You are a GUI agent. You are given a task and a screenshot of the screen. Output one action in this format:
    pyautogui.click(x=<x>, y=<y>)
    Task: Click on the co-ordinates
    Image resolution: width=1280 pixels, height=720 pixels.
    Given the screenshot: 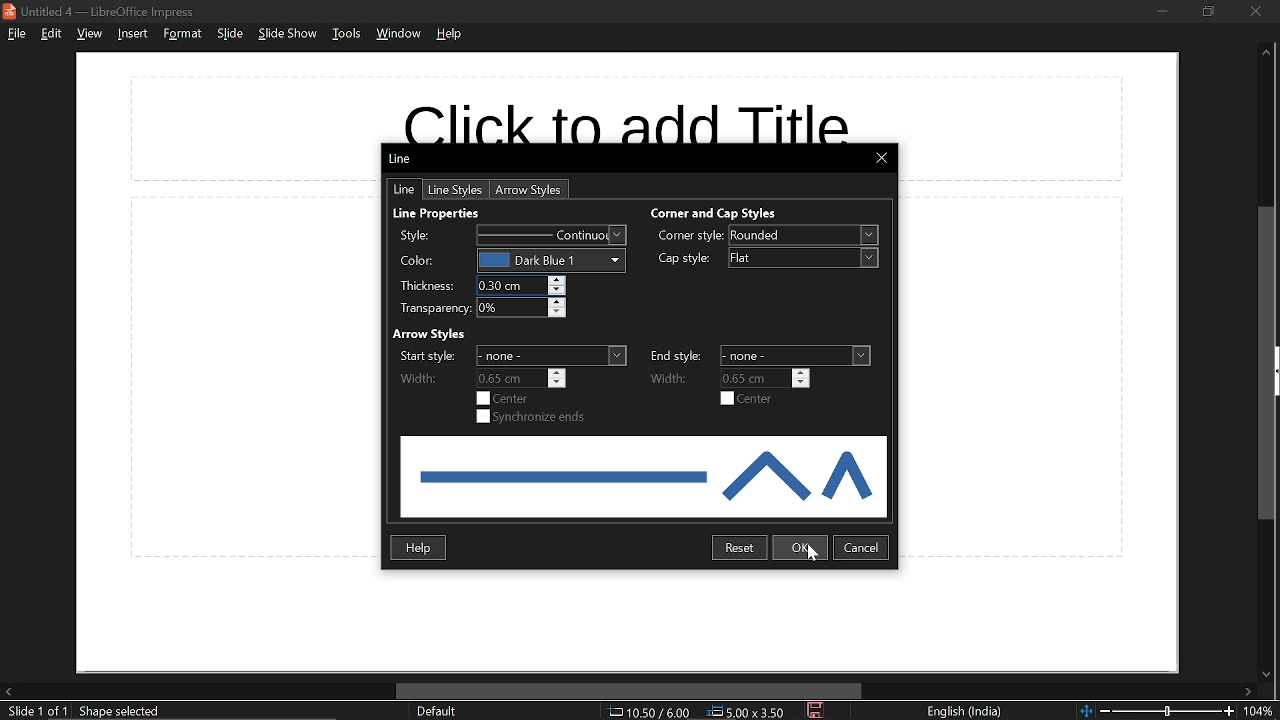 What is the action you would take?
    pyautogui.click(x=648, y=712)
    